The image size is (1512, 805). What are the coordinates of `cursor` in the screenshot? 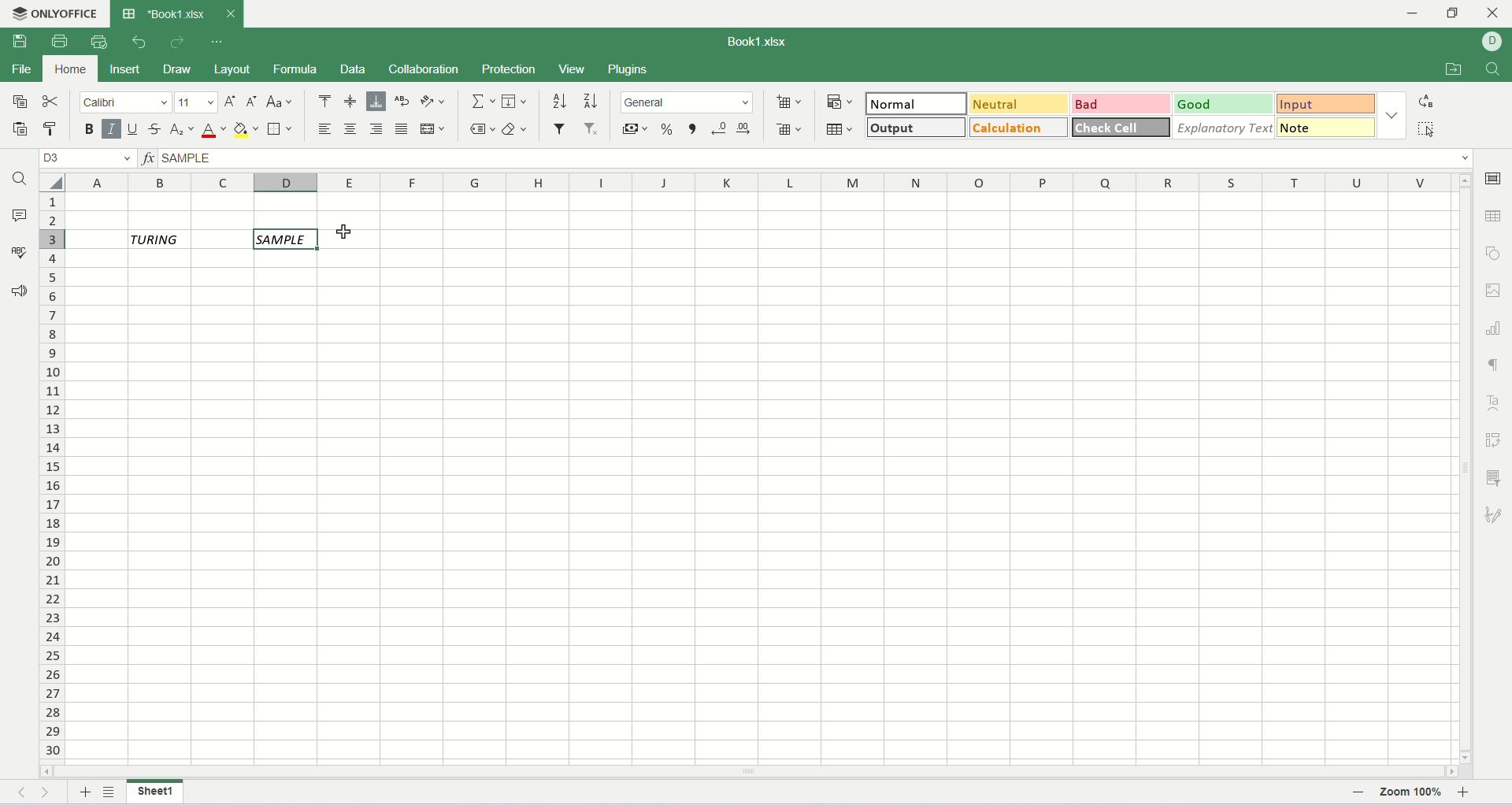 It's located at (345, 232).